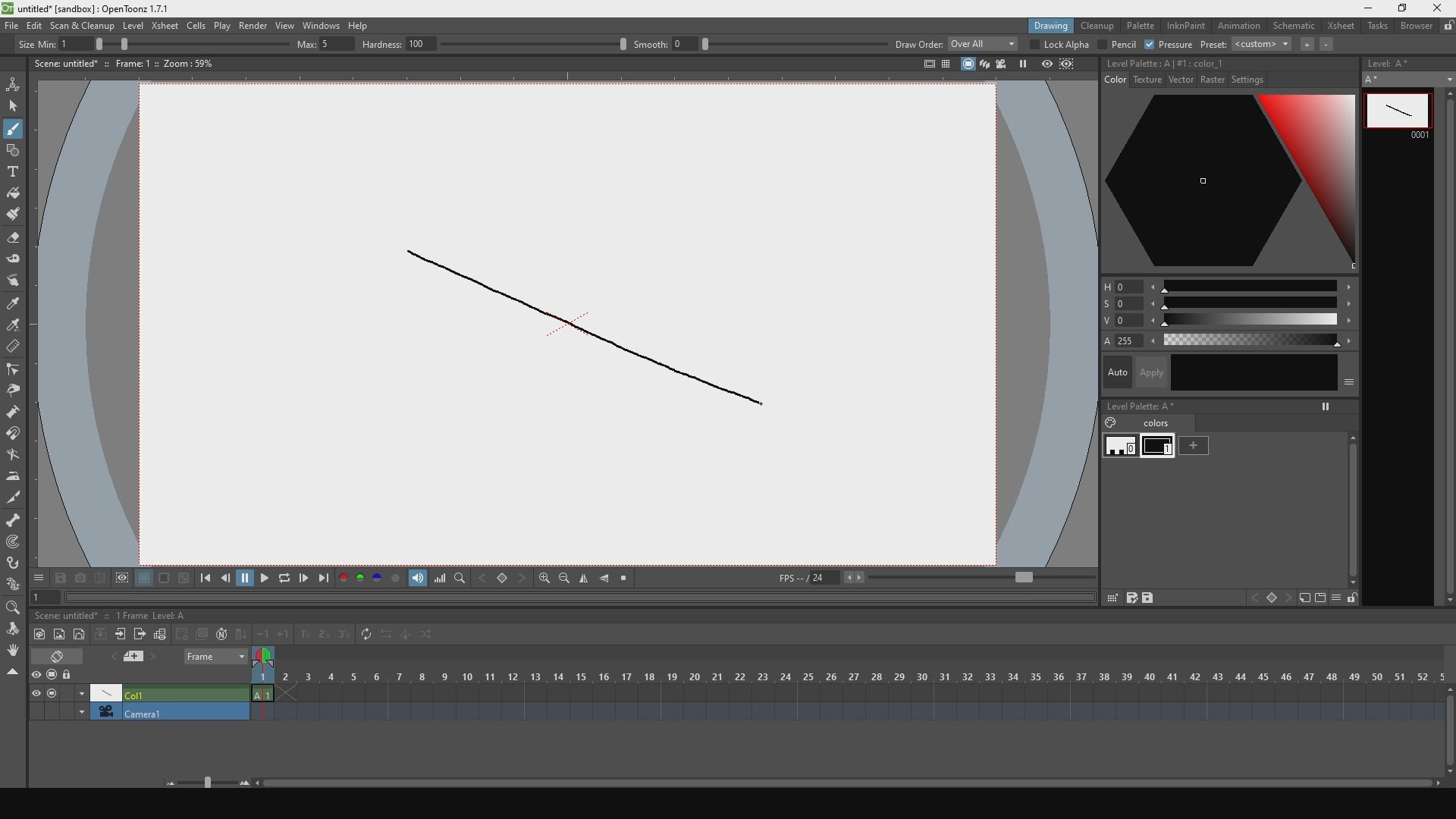  I want to click on zoom, so click(14, 608).